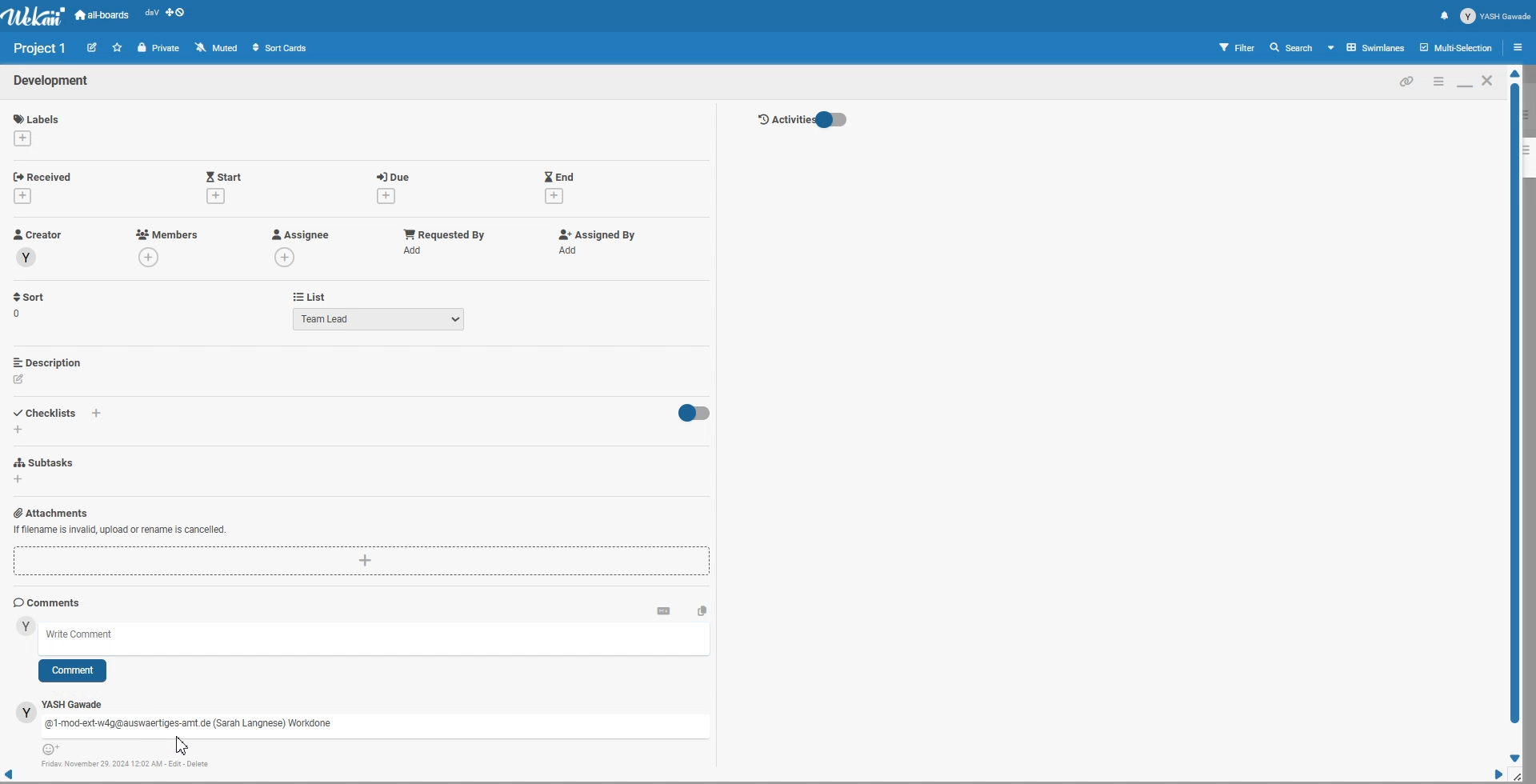 The image size is (1536, 784). I want to click on Search, so click(1292, 47).